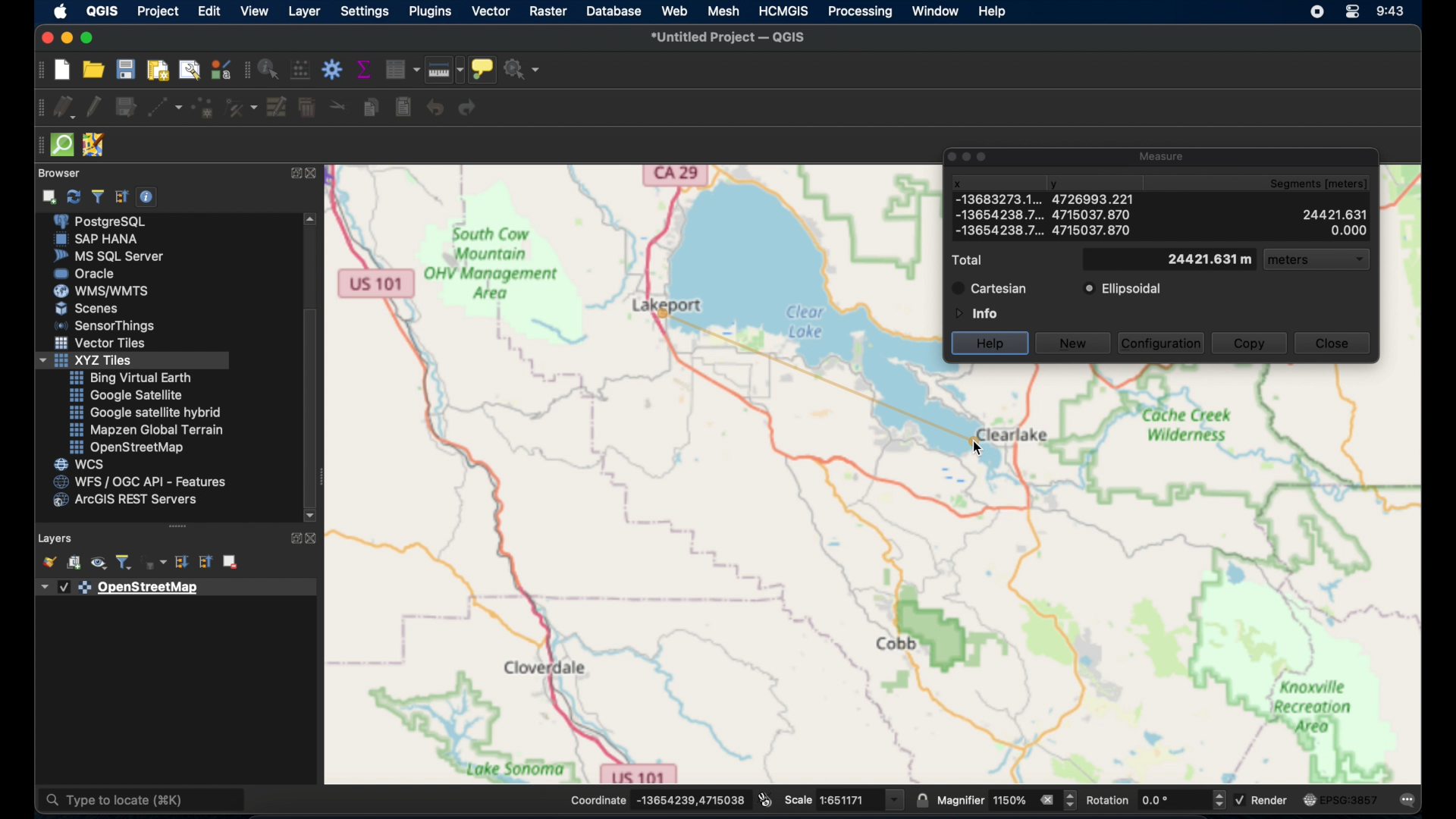 The height and width of the screenshot is (819, 1456). I want to click on toggle editing, so click(92, 105).